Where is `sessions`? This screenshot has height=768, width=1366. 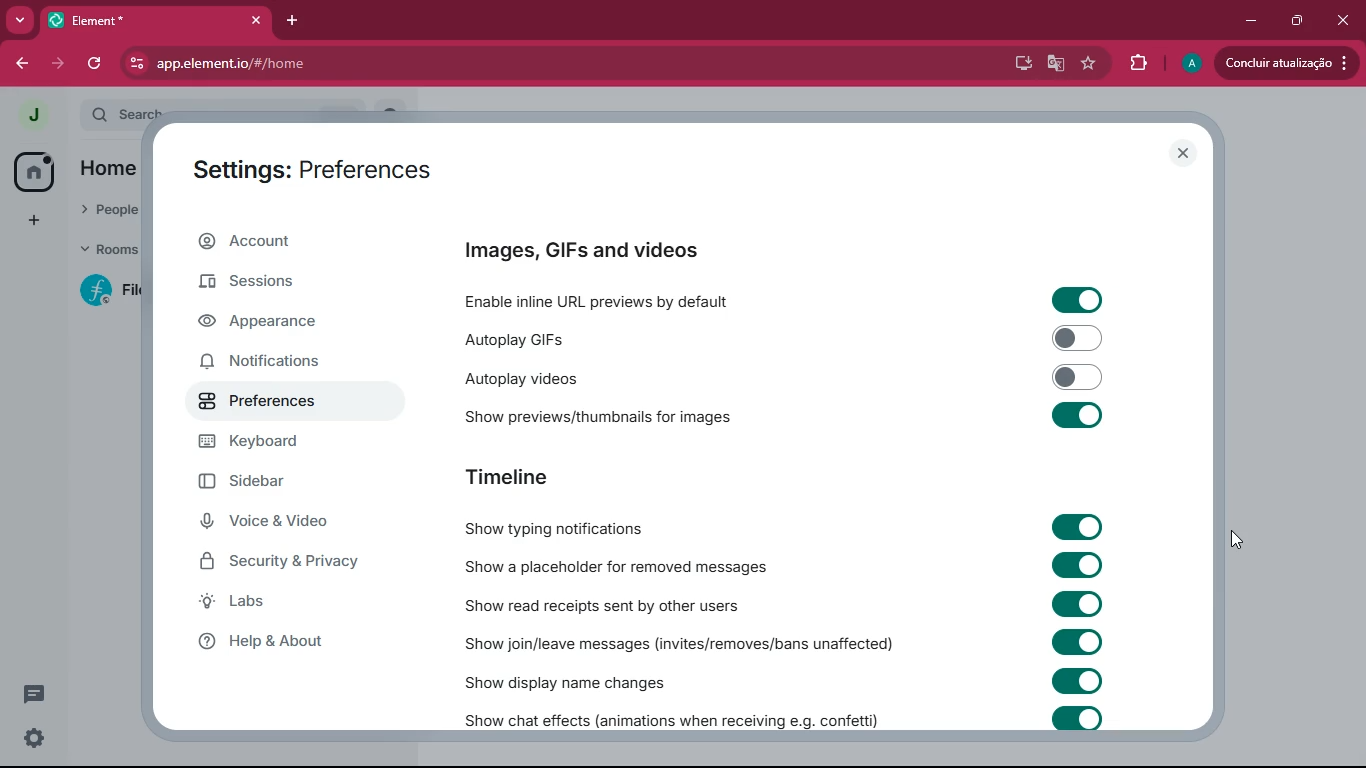
sessions is located at coordinates (272, 280).